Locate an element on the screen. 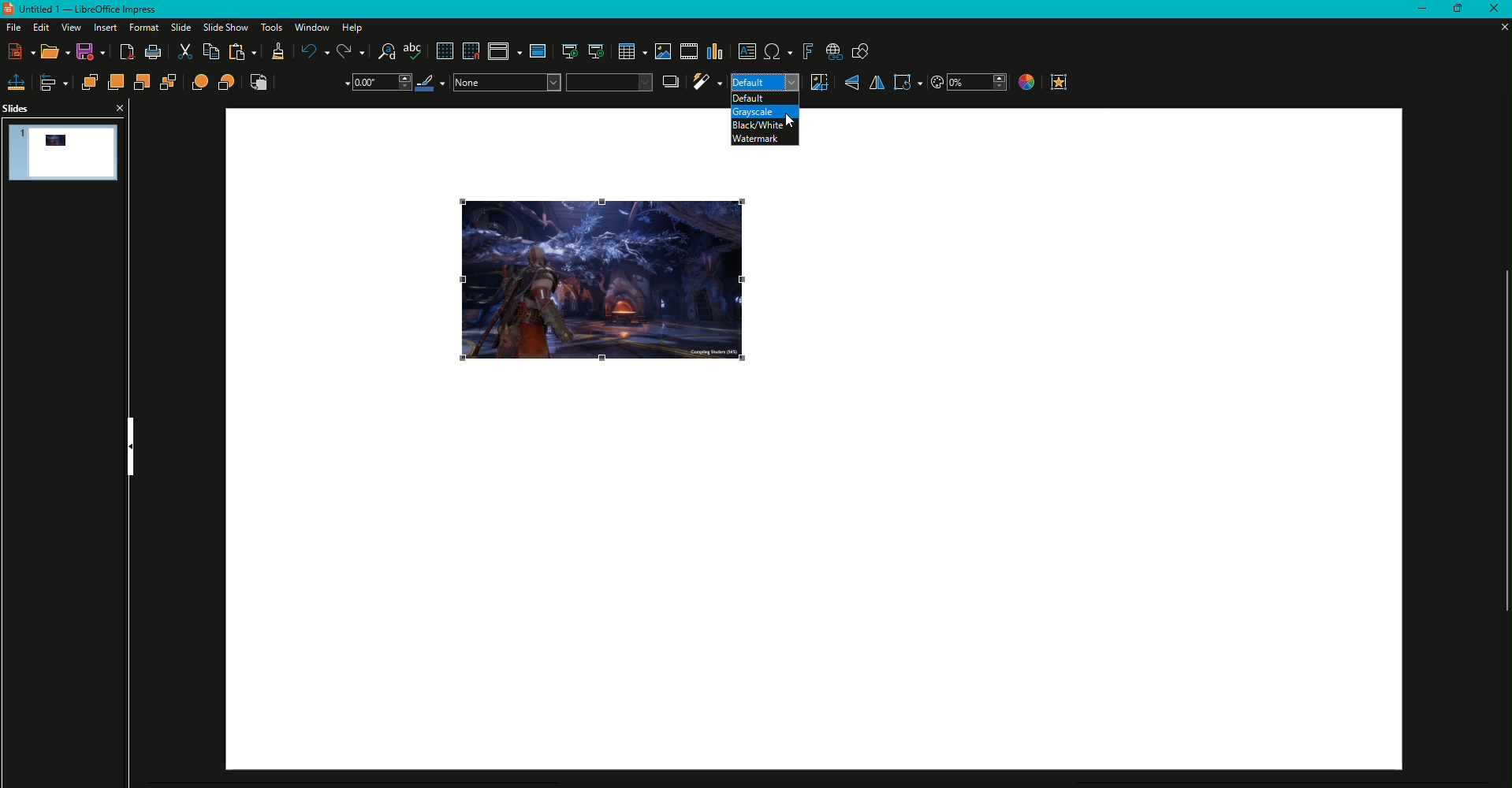 This screenshot has height=788, width=1512. Black and White is located at coordinates (760, 125).